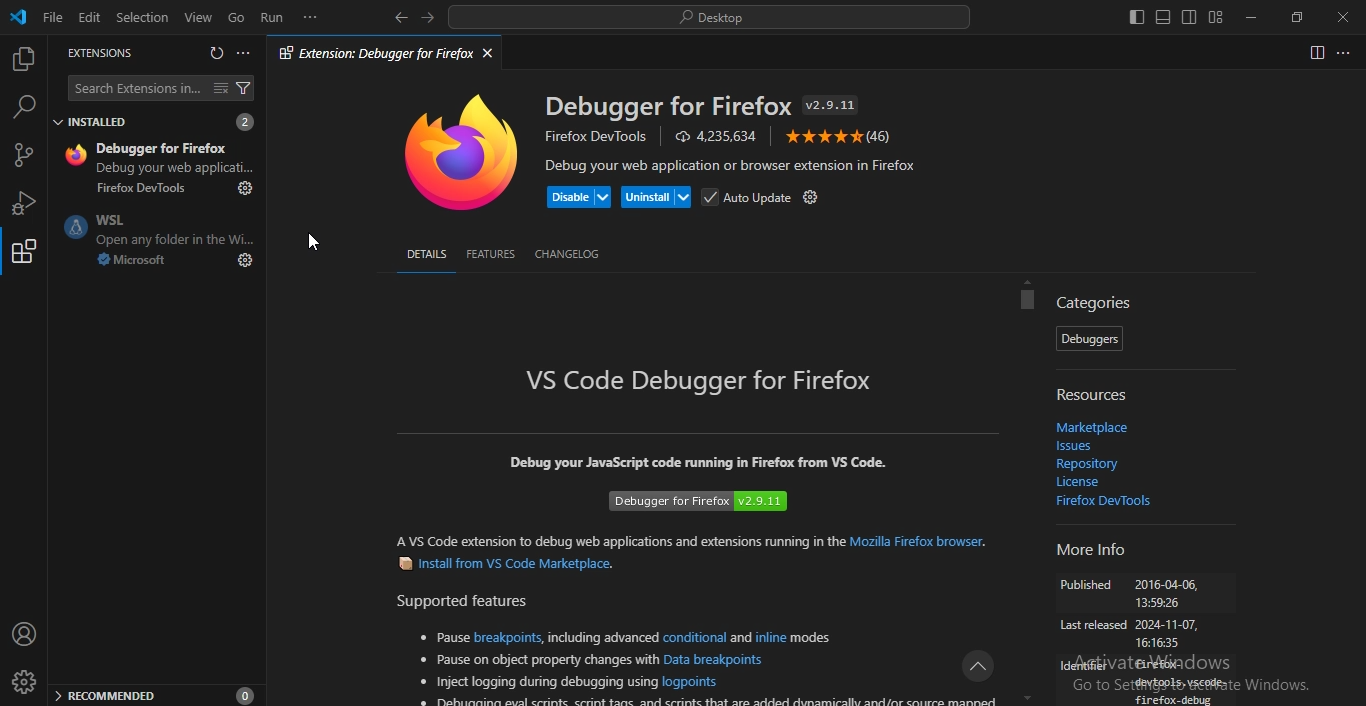  I want to click on mozilla firefox icon, so click(73, 155).